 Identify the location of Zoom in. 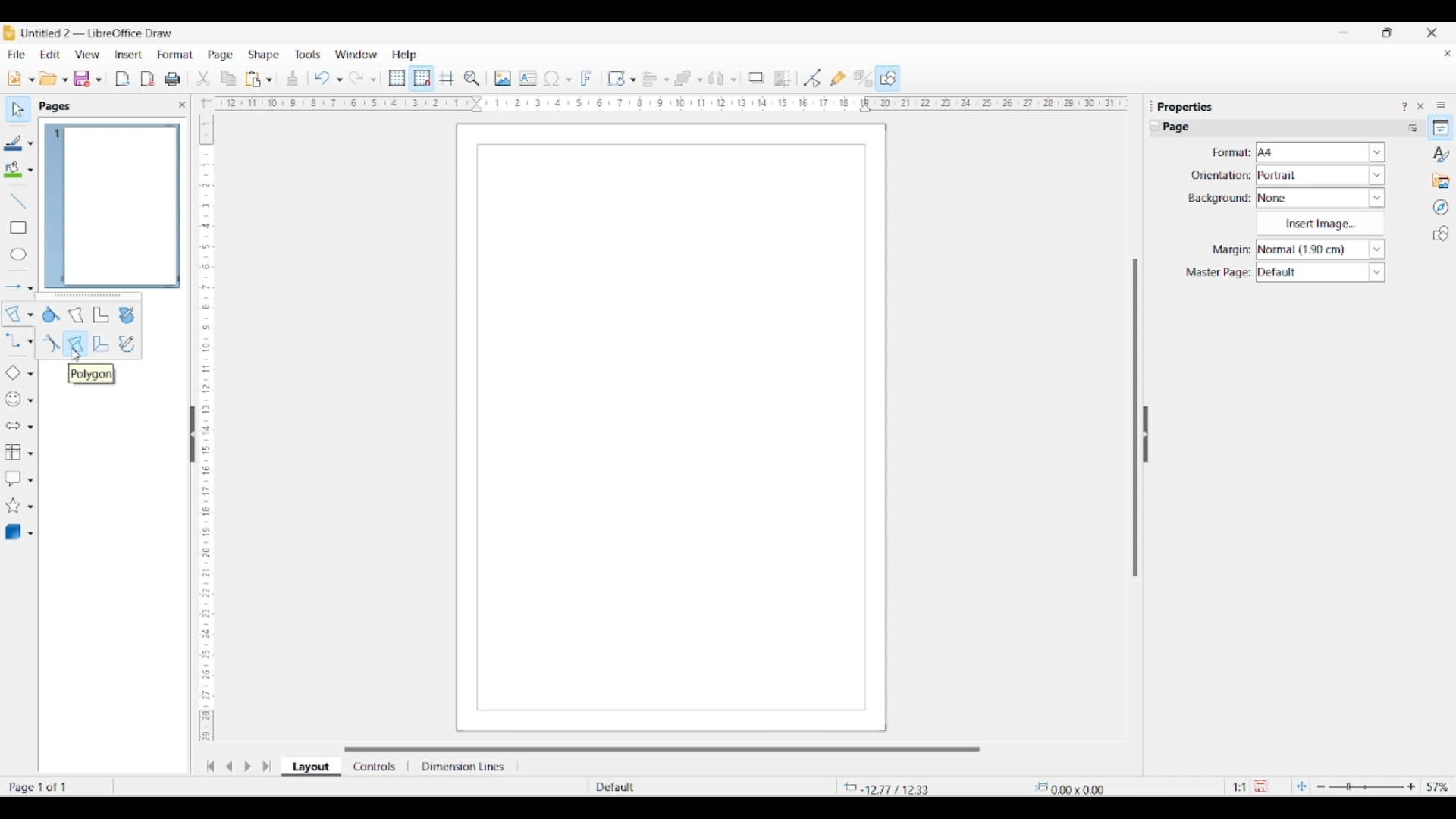
(1411, 786).